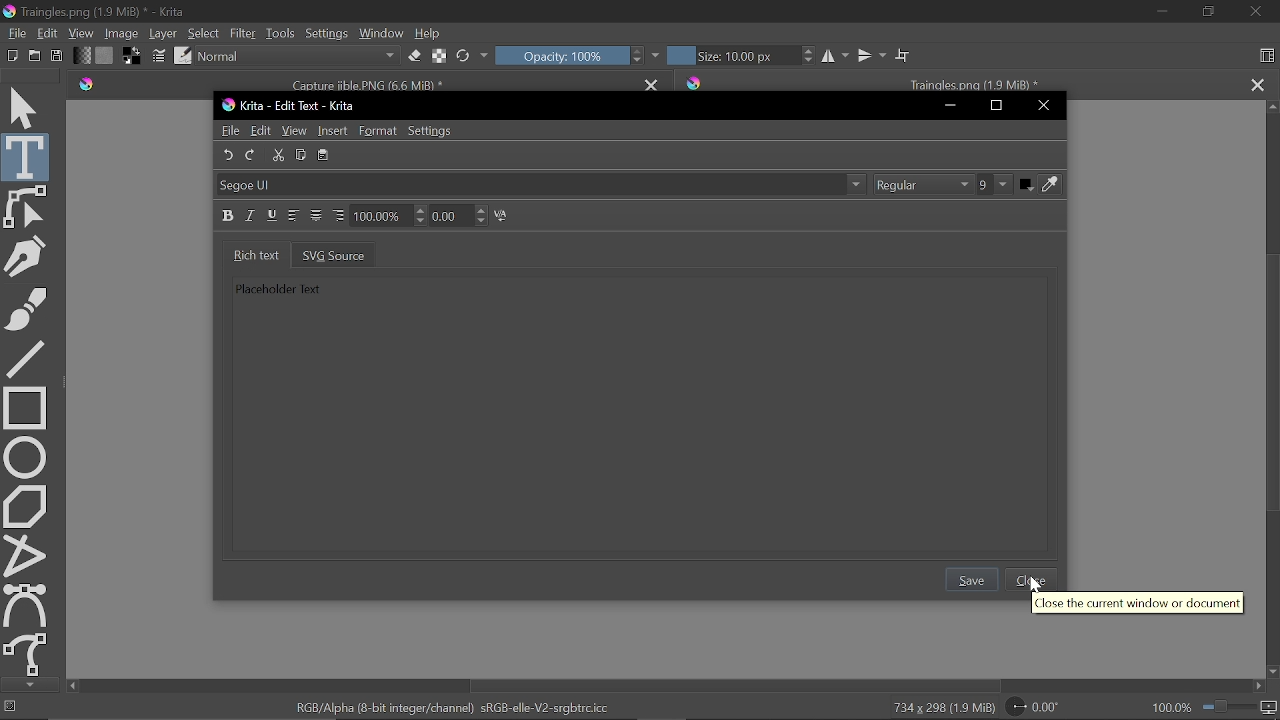 The width and height of the screenshot is (1280, 720). Describe the element at coordinates (834, 56) in the screenshot. I see `Horizontal mirror tool` at that location.